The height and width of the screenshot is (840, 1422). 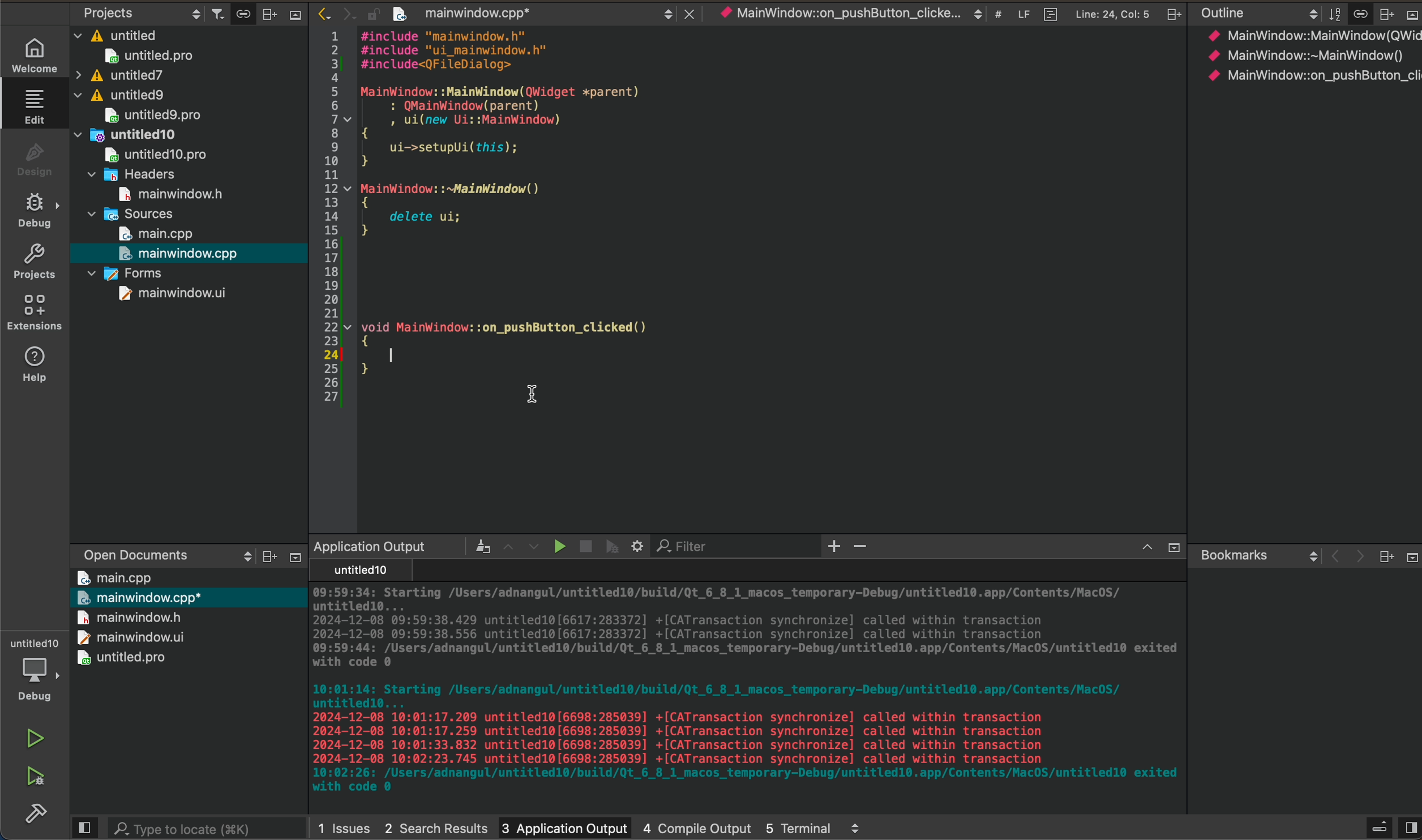 I want to click on , so click(x=1385, y=556).